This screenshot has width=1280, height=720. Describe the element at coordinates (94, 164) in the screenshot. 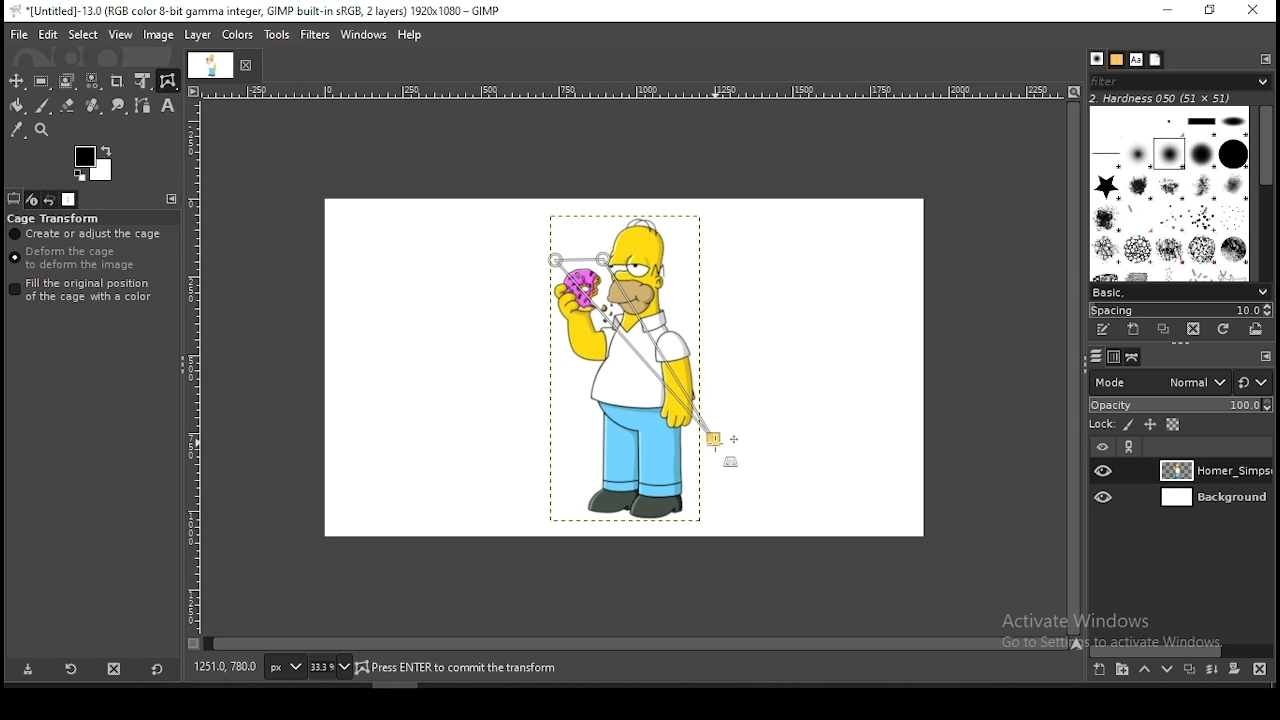

I see `colors` at that location.